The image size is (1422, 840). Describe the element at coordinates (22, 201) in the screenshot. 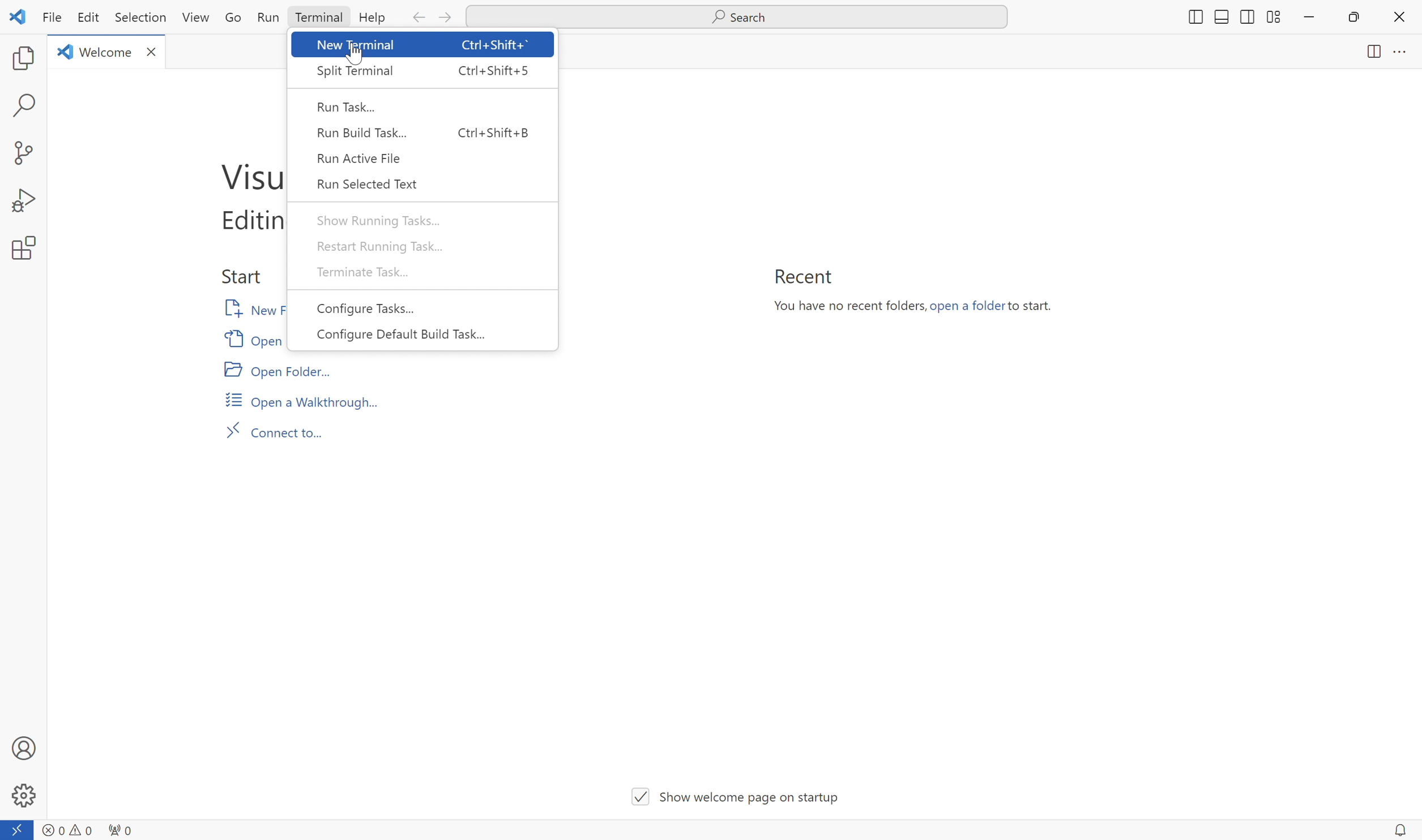

I see `run and debug` at that location.